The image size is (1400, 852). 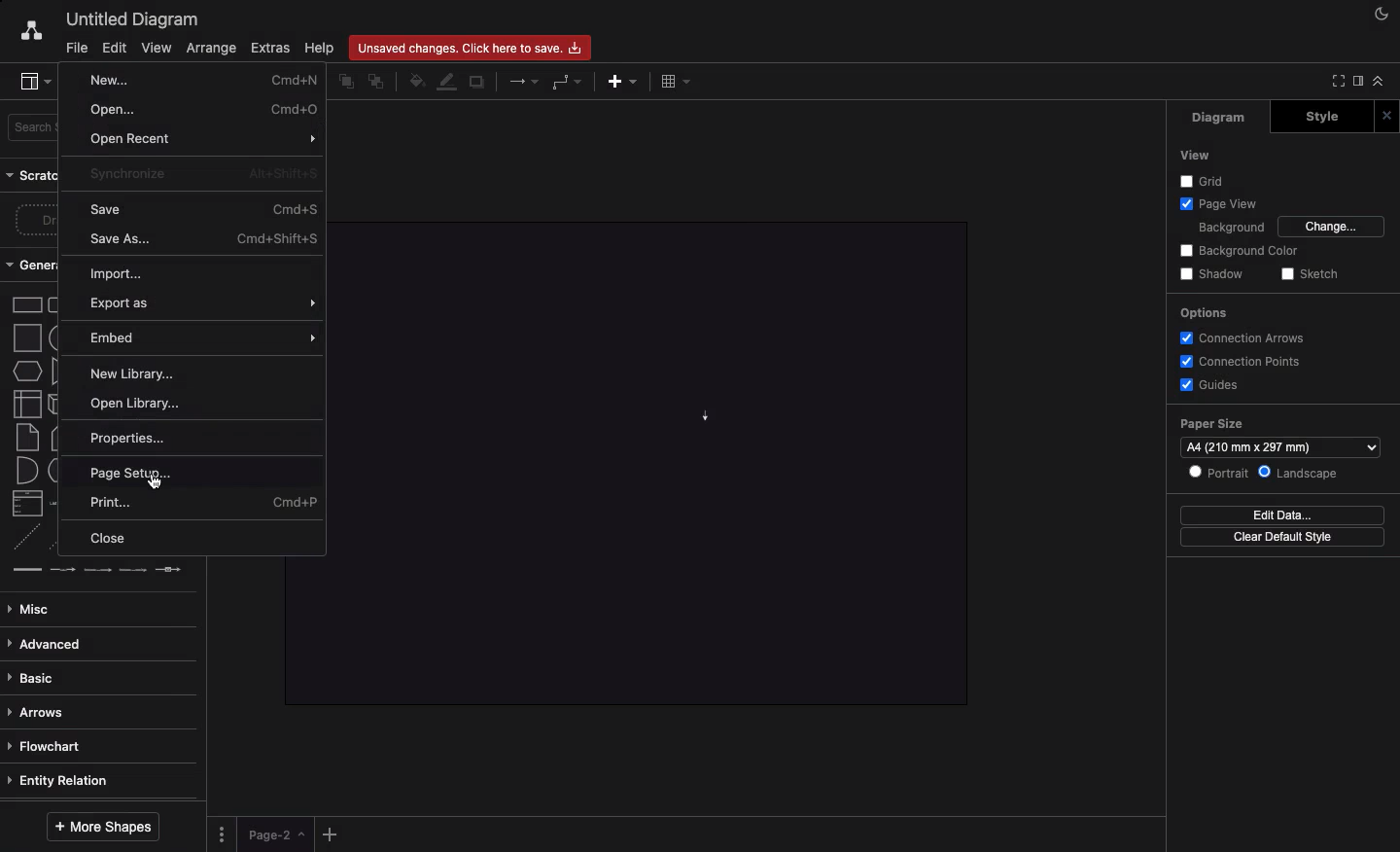 I want to click on Arrange, so click(x=207, y=49).